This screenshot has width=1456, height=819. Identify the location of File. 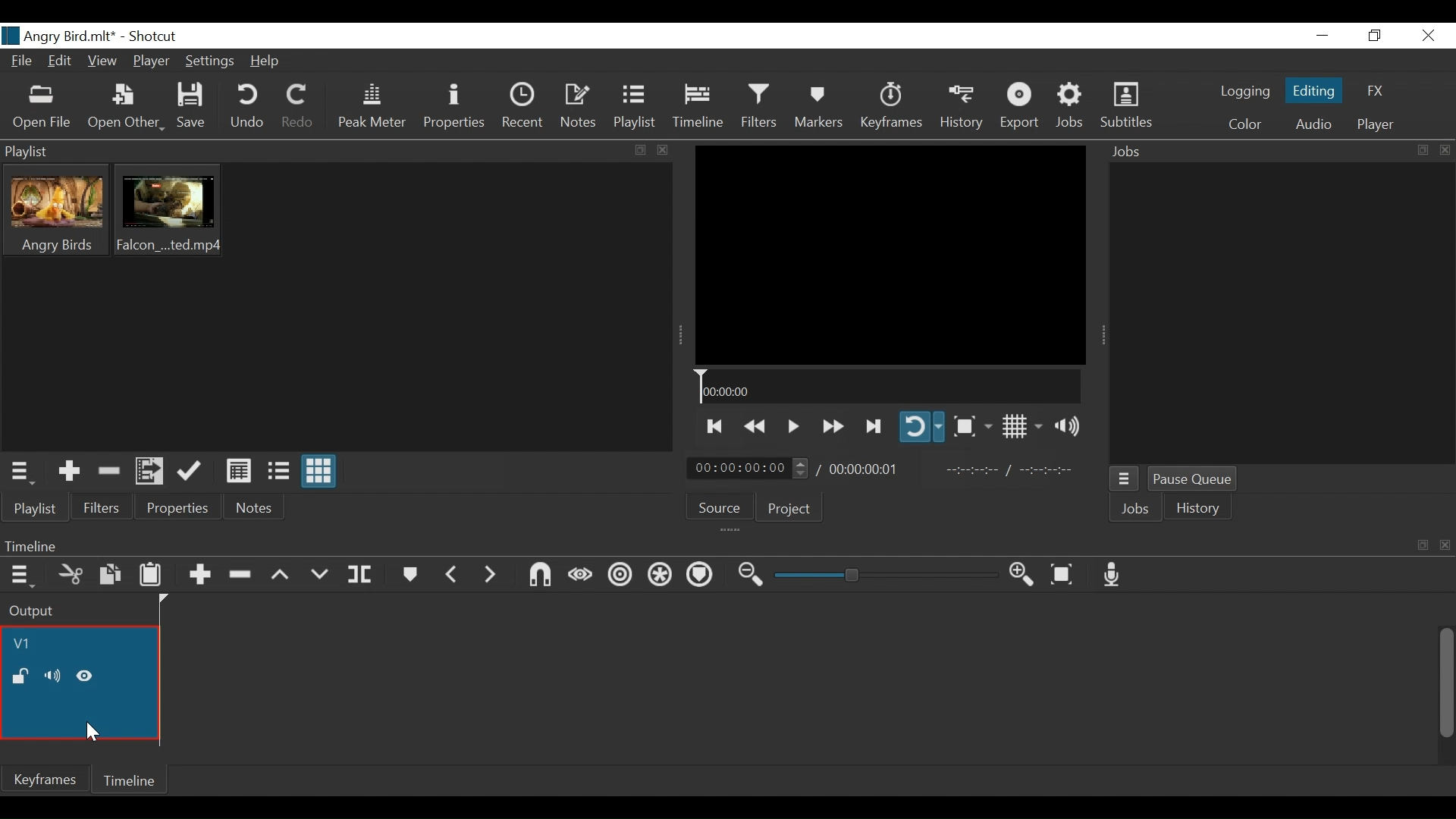
(21, 59).